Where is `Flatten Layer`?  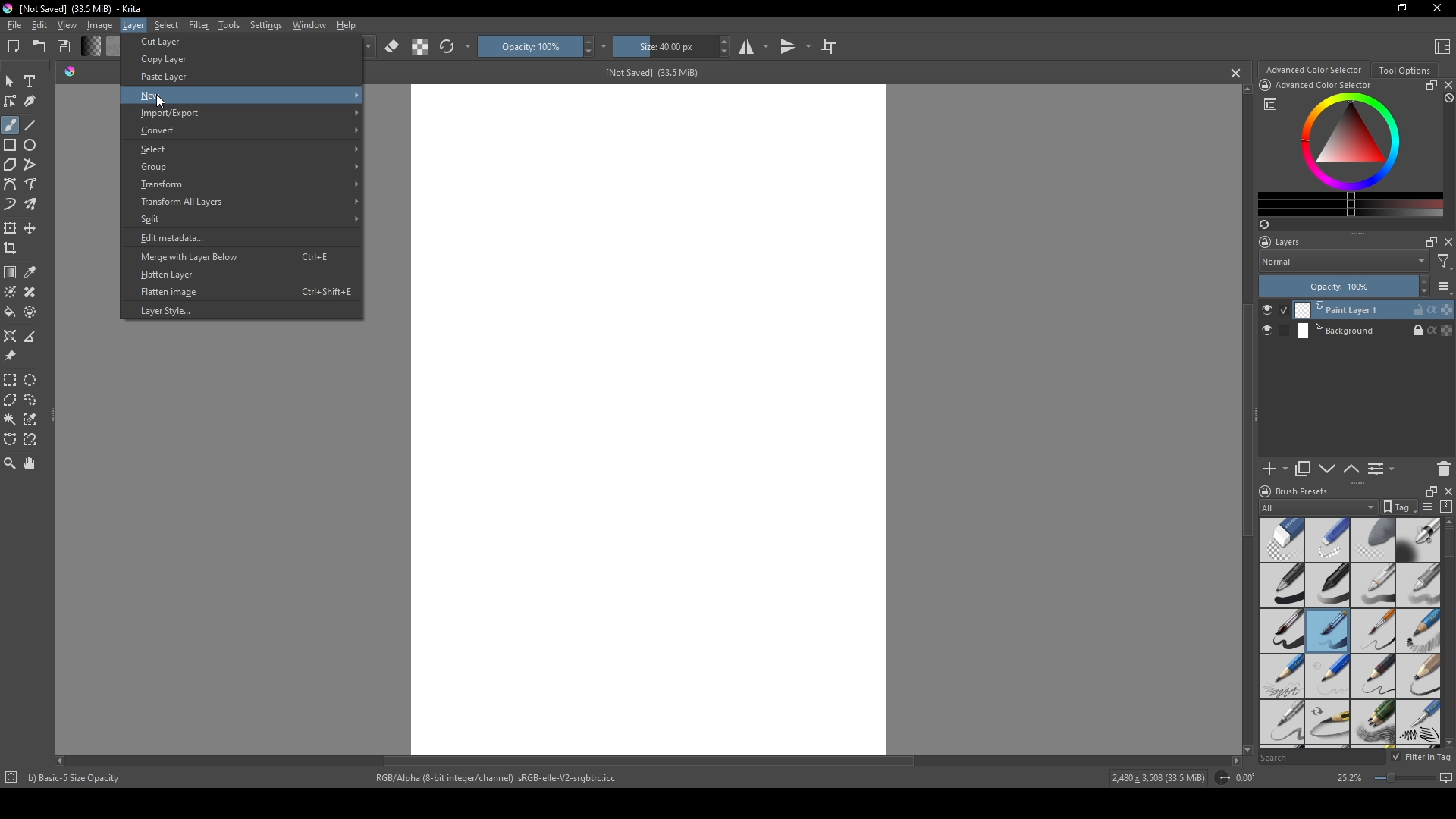 Flatten Layer is located at coordinates (171, 275).